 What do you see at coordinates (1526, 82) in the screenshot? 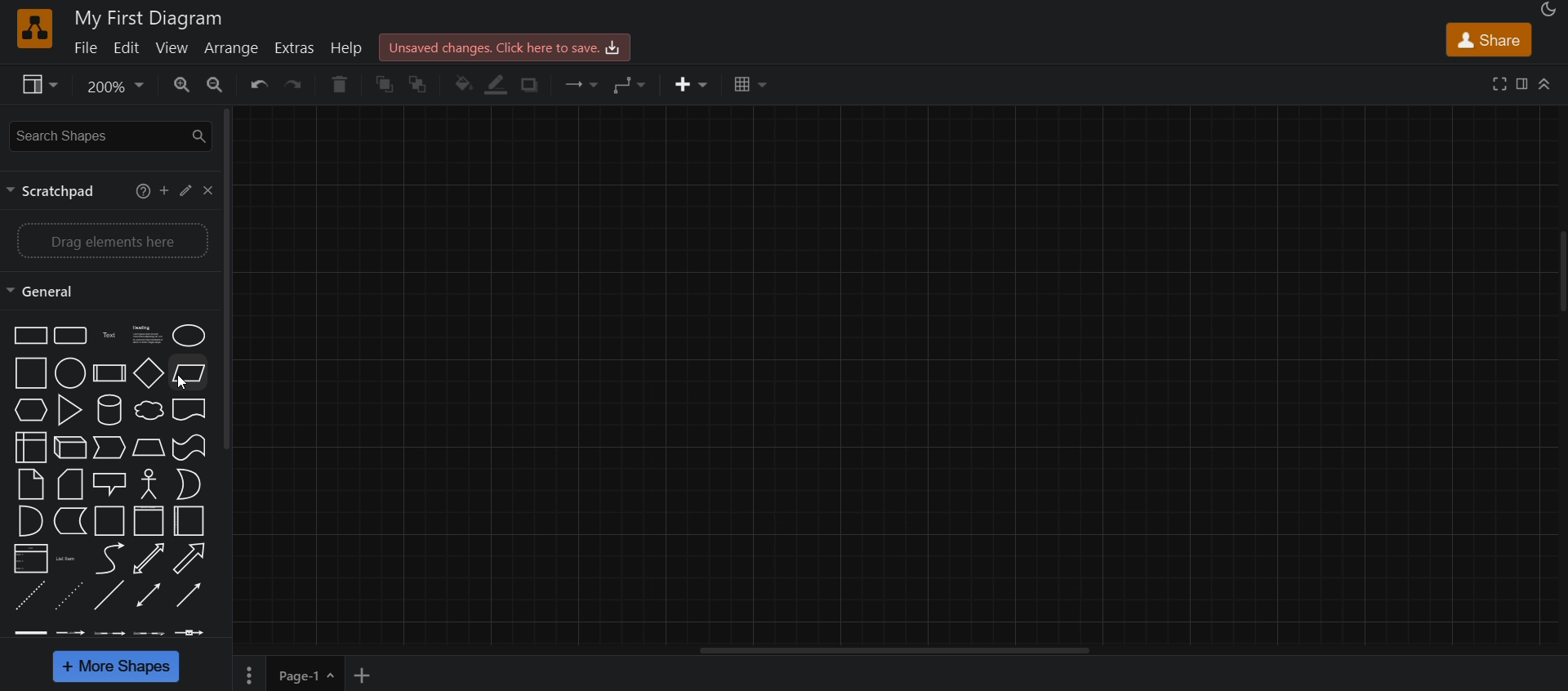
I see `format` at bounding box center [1526, 82].